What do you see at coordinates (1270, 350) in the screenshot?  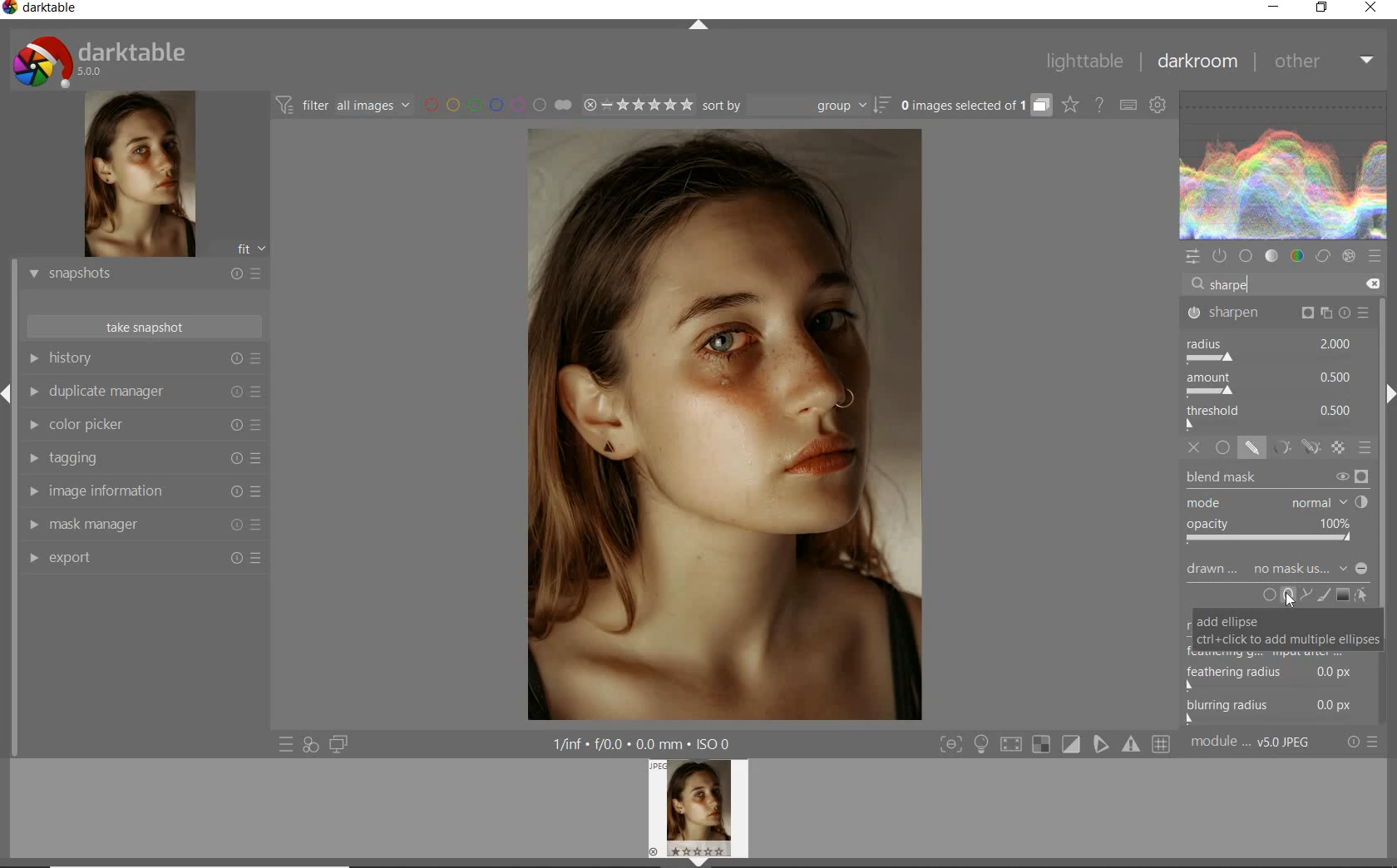 I see `RADIUS` at bounding box center [1270, 350].